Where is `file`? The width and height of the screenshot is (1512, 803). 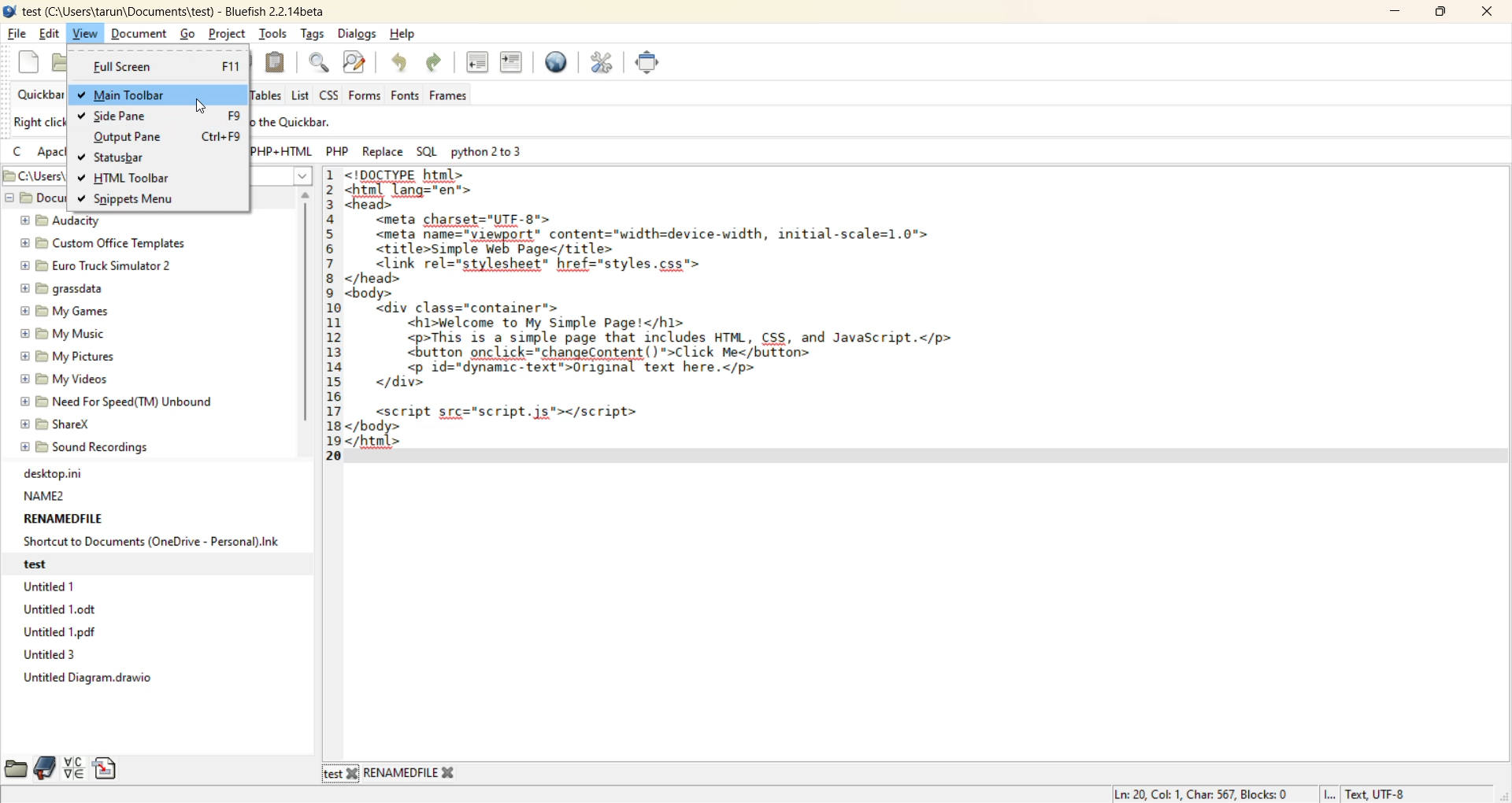 file is located at coordinates (19, 33).